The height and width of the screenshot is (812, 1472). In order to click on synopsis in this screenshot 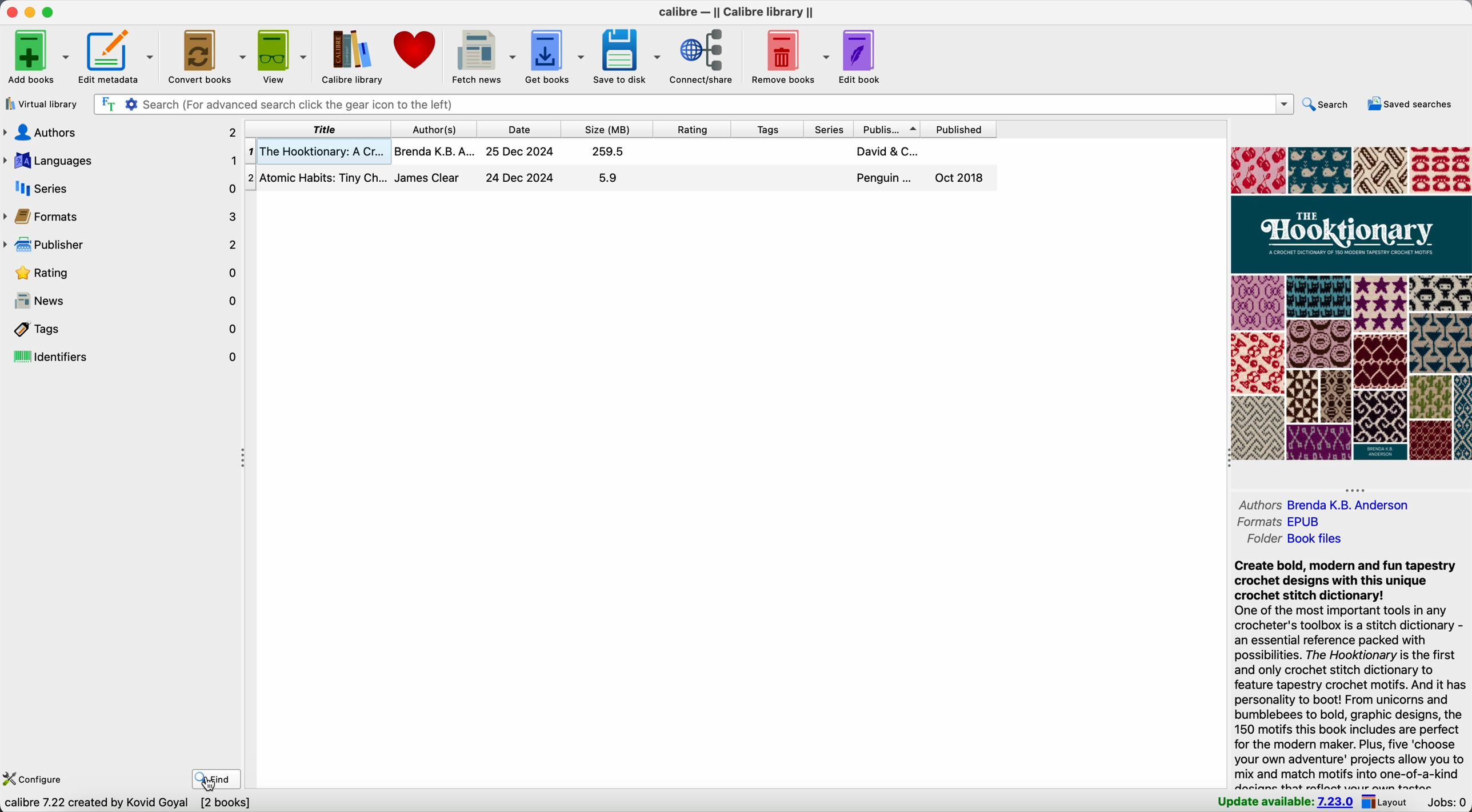, I will do `click(1351, 673)`.